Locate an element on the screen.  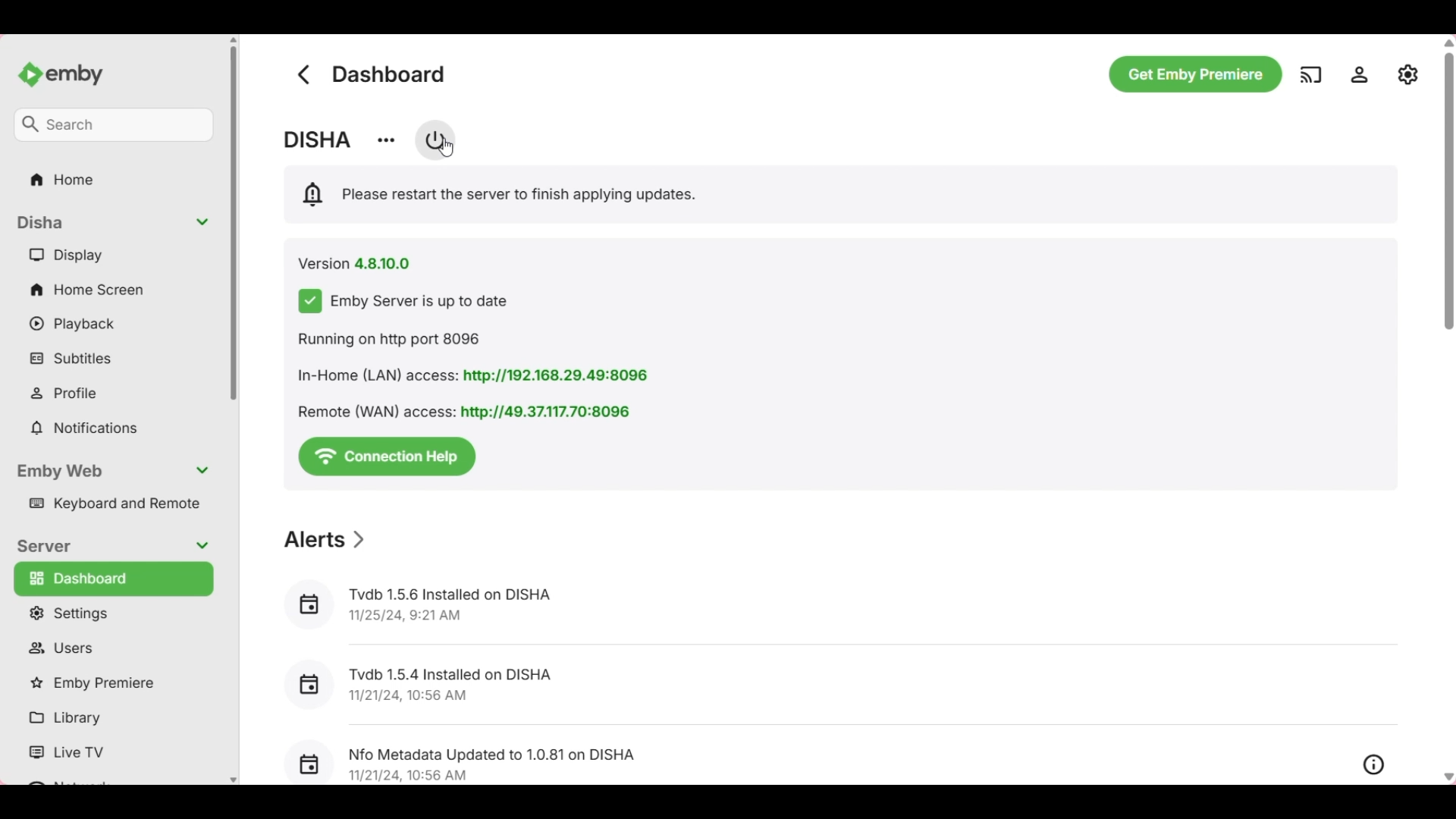
Go back is located at coordinates (303, 74).